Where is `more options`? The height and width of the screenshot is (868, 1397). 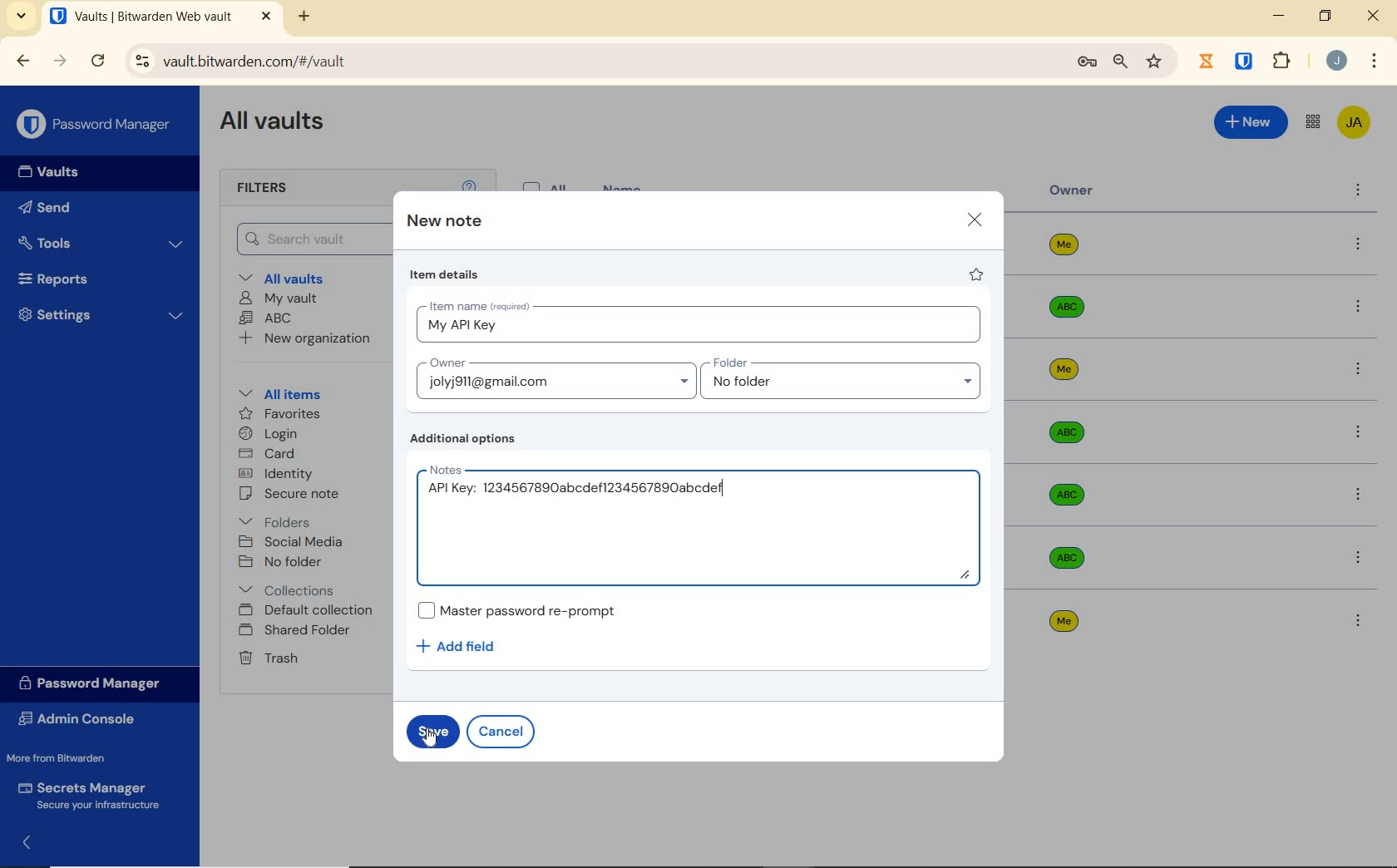
more options is located at coordinates (1360, 495).